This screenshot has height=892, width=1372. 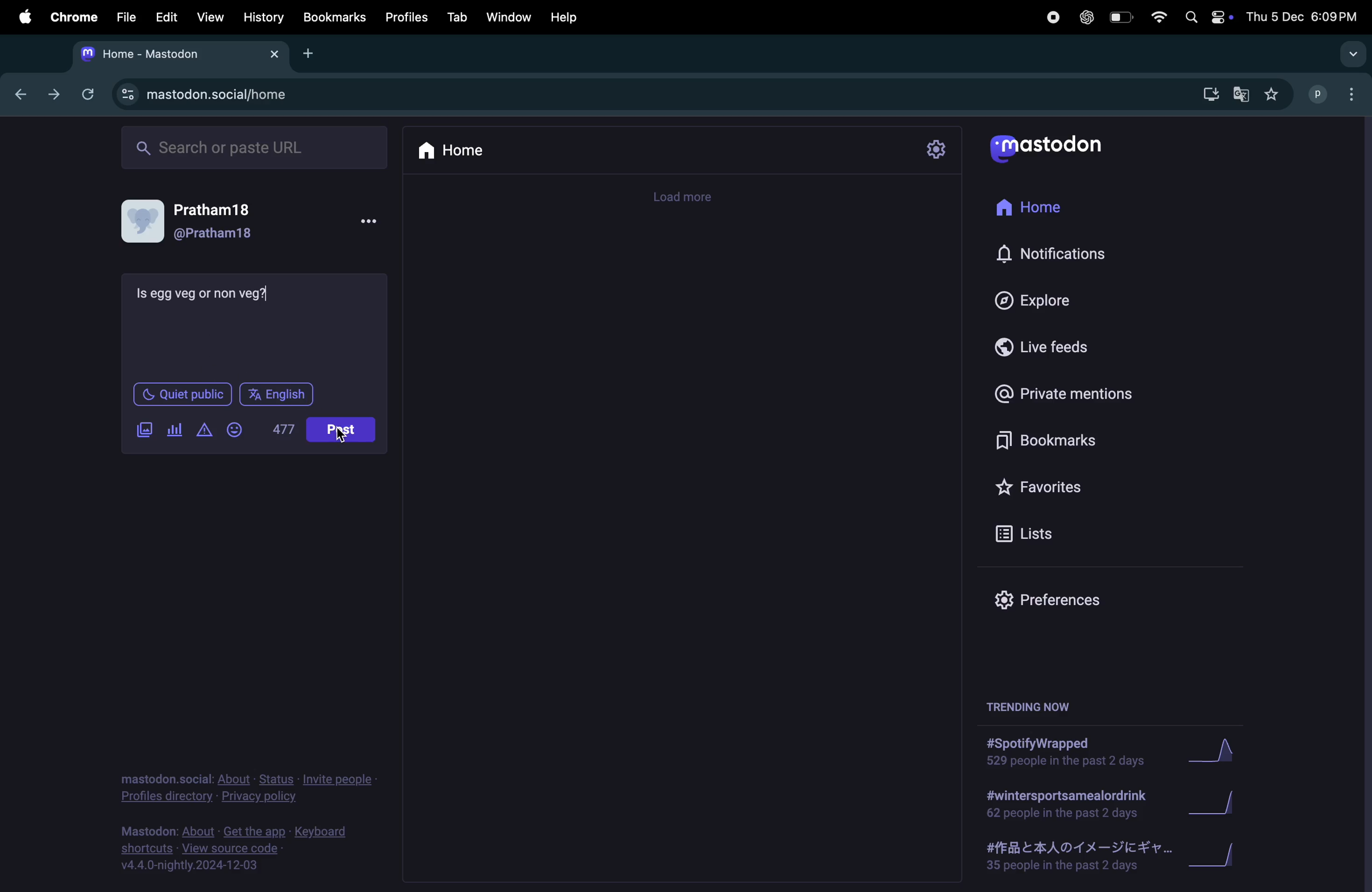 What do you see at coordinates (1049, 20) in the screenshot?
I see `record` at bounding box center [1049, 20].